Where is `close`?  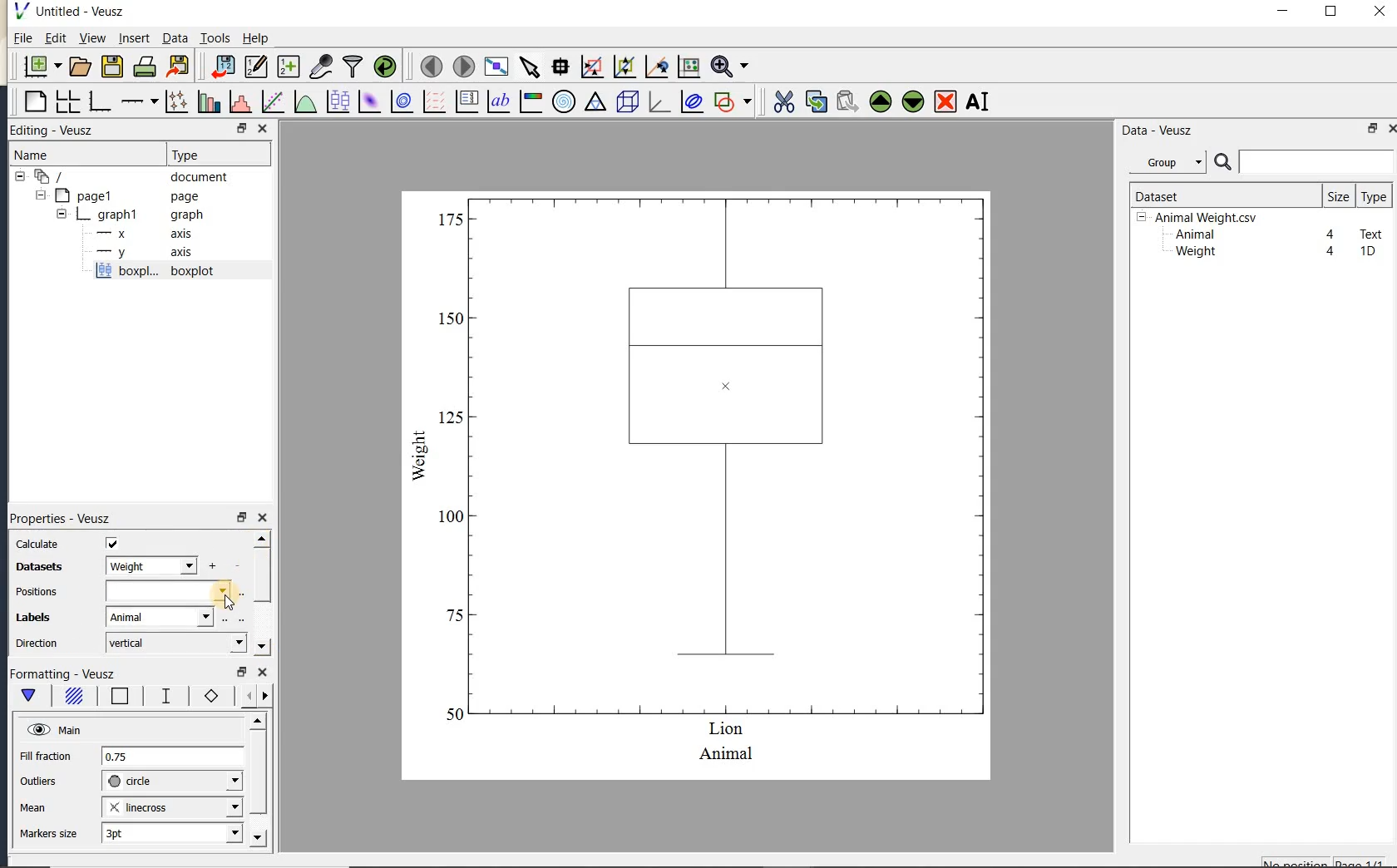
close is located at coordinates (263, 673).